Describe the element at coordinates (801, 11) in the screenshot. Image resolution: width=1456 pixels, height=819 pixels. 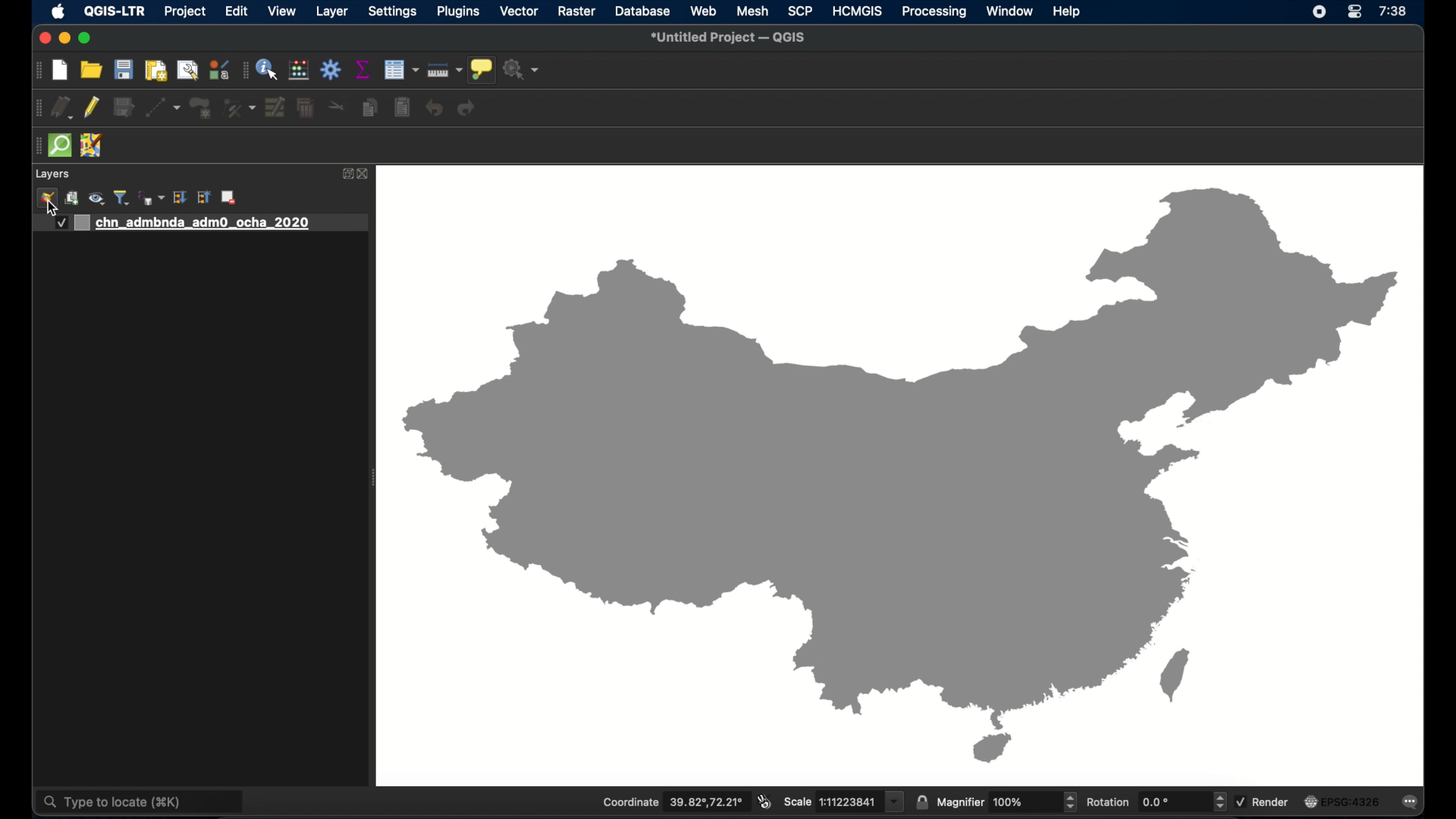
I see `SCP` at that location.